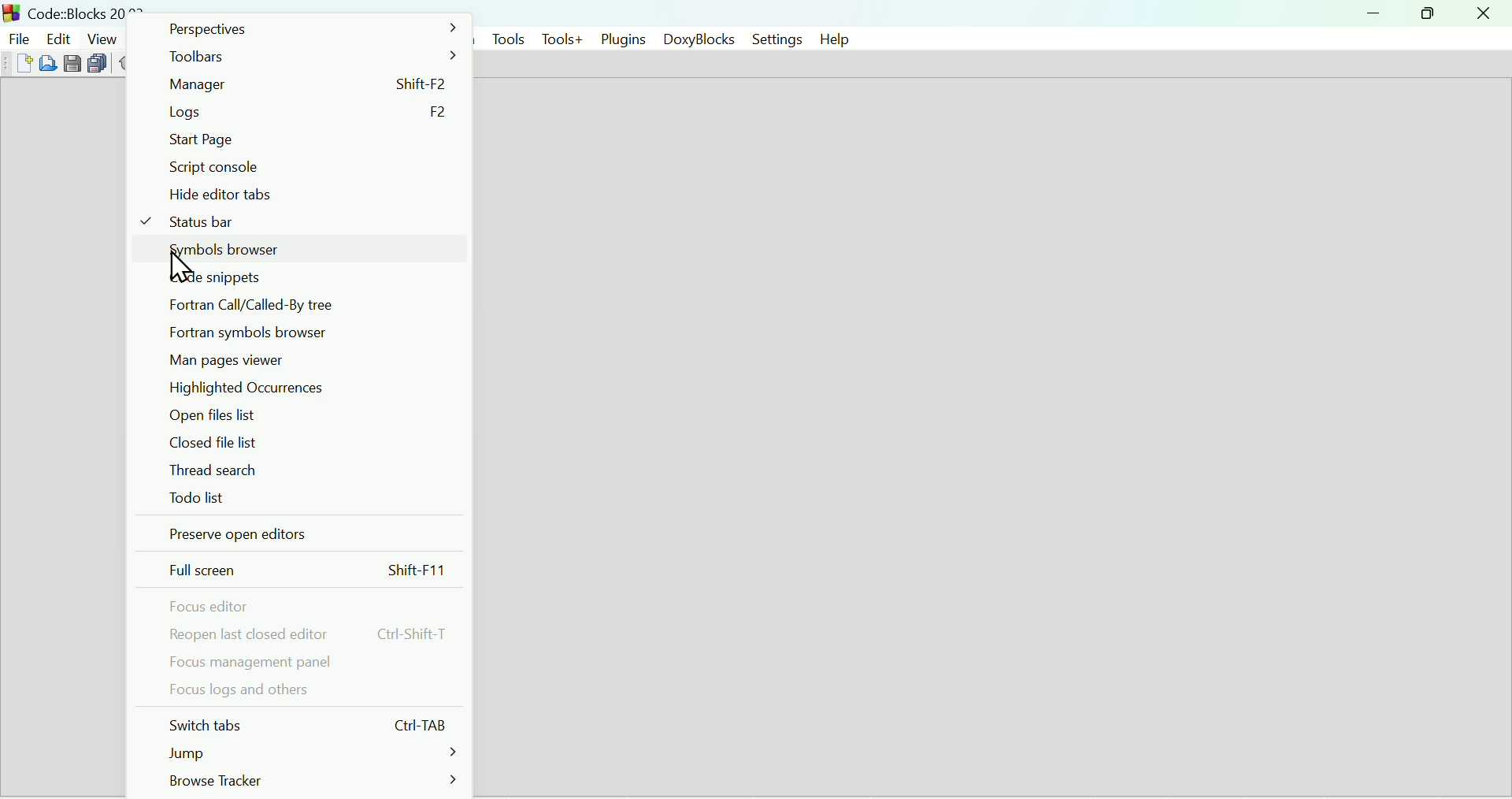  What do you see at coordinates (302, 221) in the screenshot?
I see `Status bar` at bounding box center [302, 221].